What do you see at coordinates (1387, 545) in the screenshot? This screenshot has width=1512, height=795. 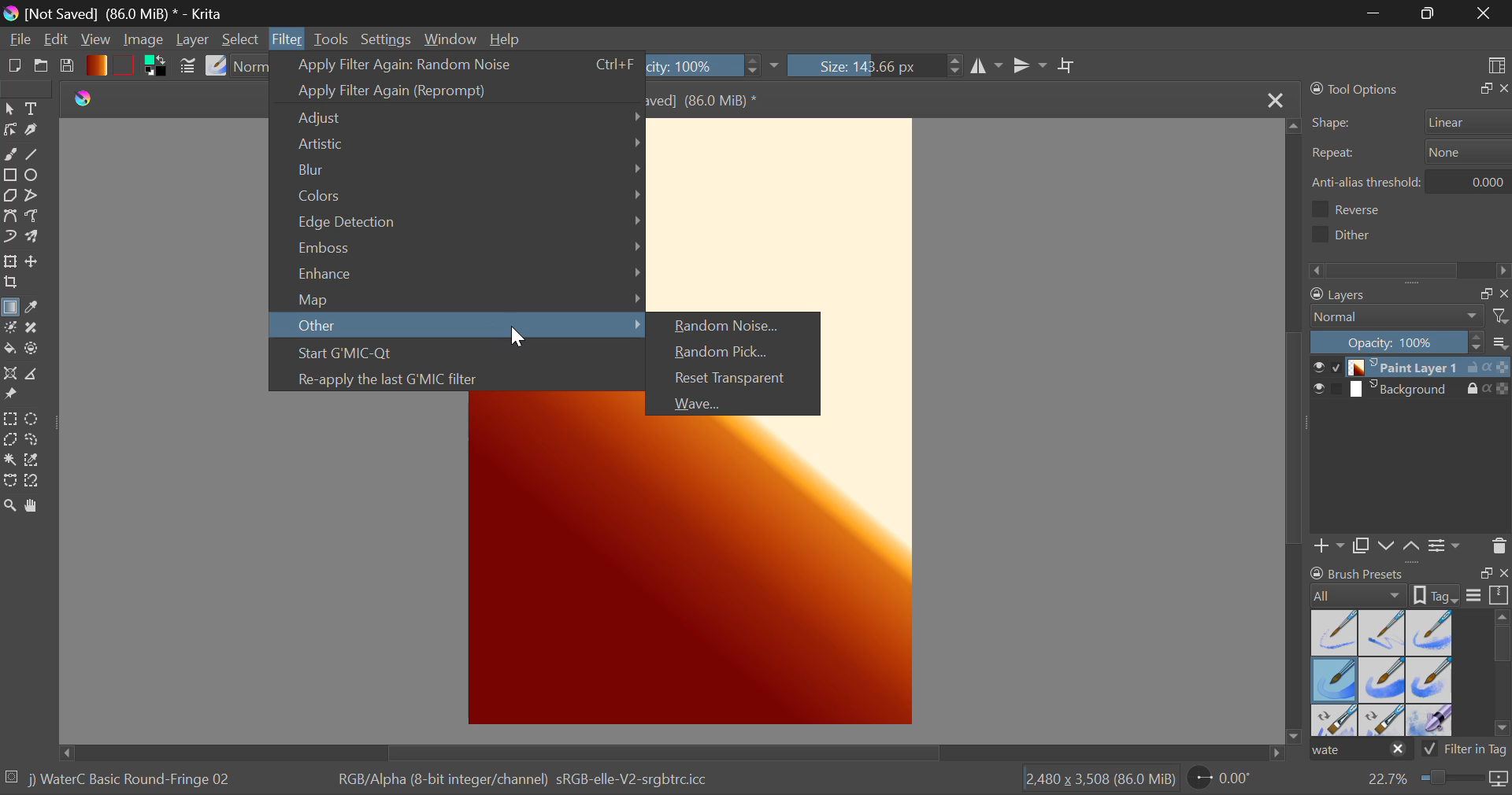 I see `move down` at bounding box center [1387, 545].